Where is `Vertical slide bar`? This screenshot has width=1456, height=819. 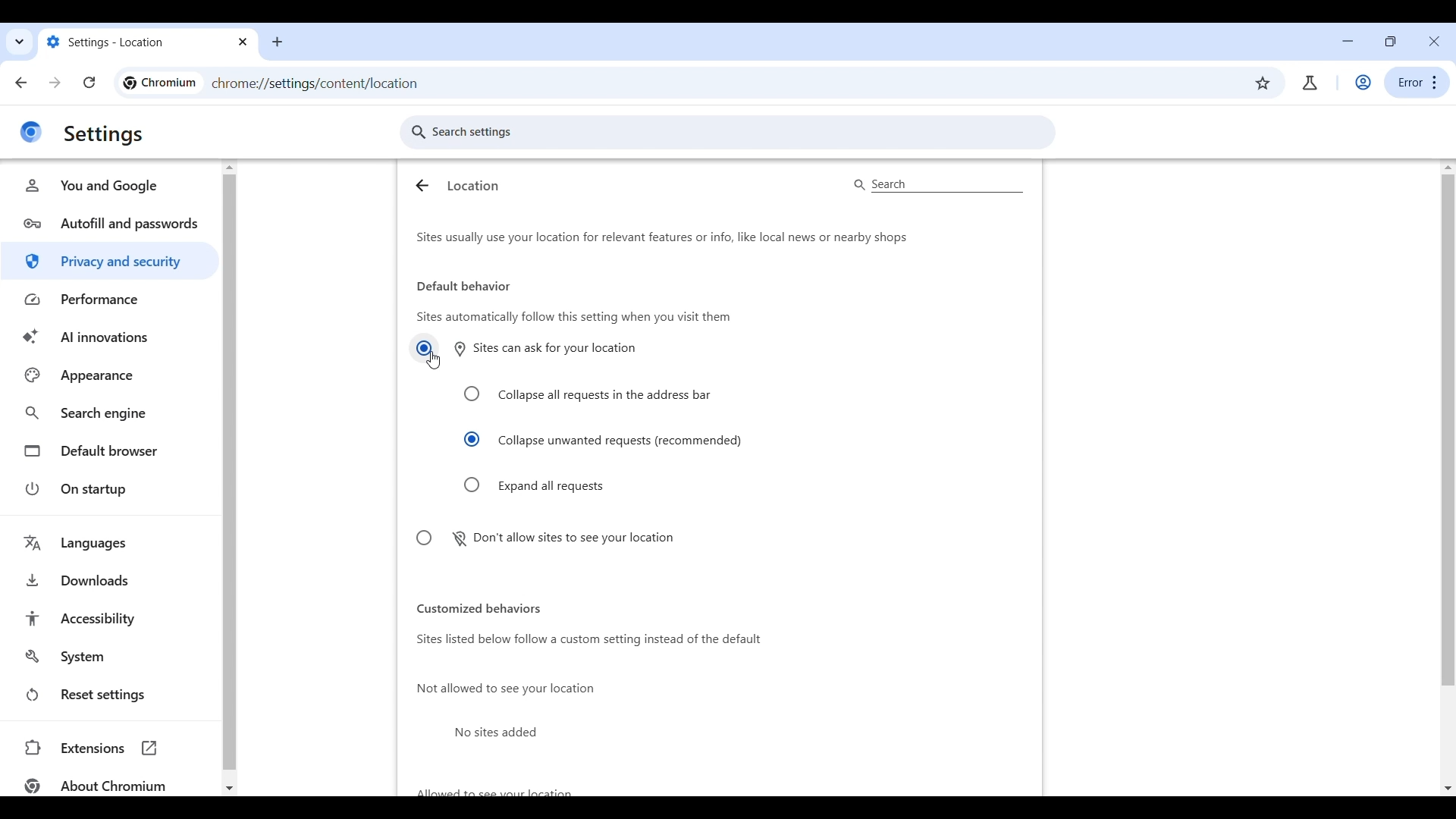
Vertical slide bar is located at coordinates (1445, 431).